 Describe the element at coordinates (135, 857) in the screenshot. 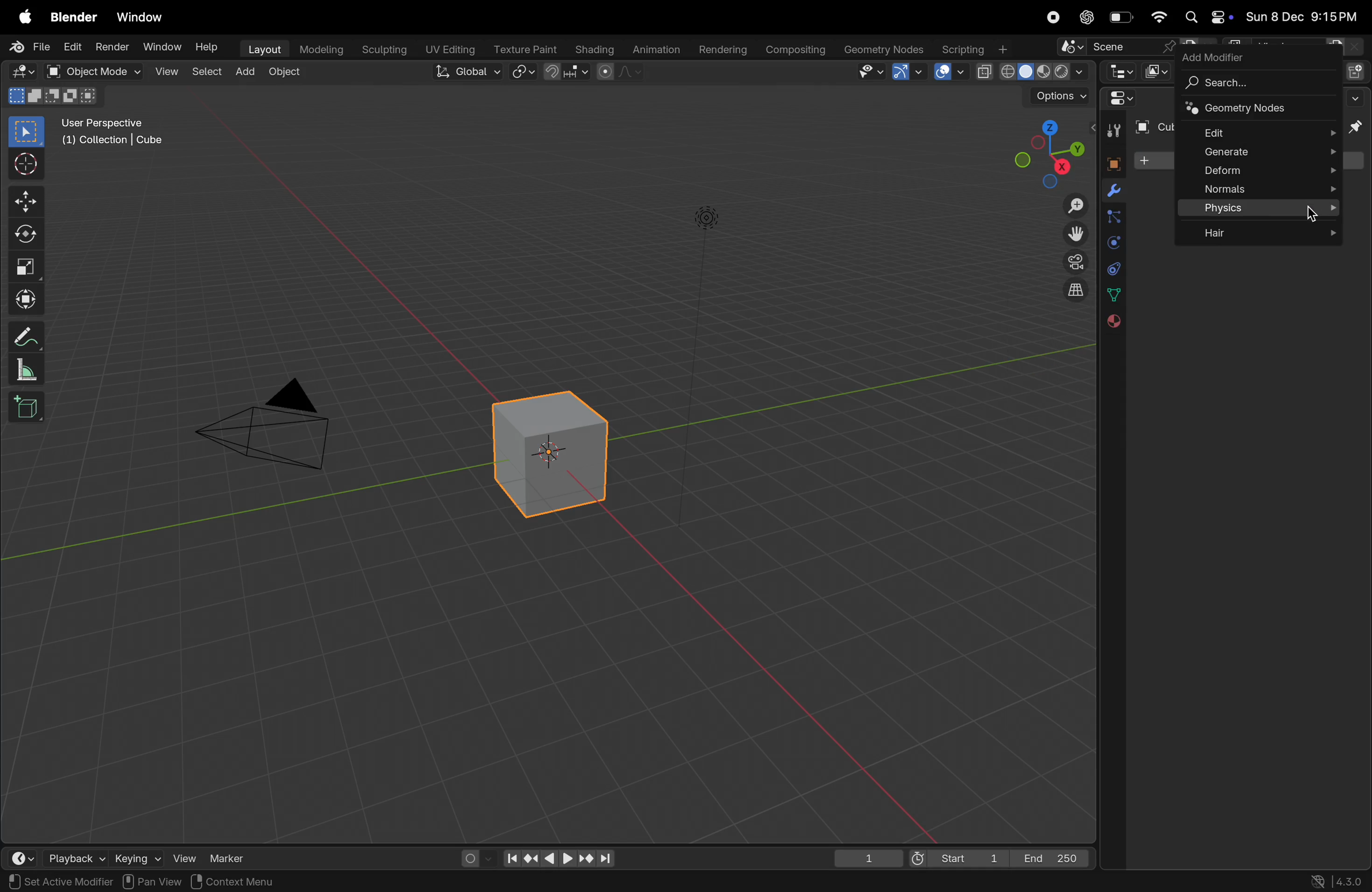

I see `keying` at that location.